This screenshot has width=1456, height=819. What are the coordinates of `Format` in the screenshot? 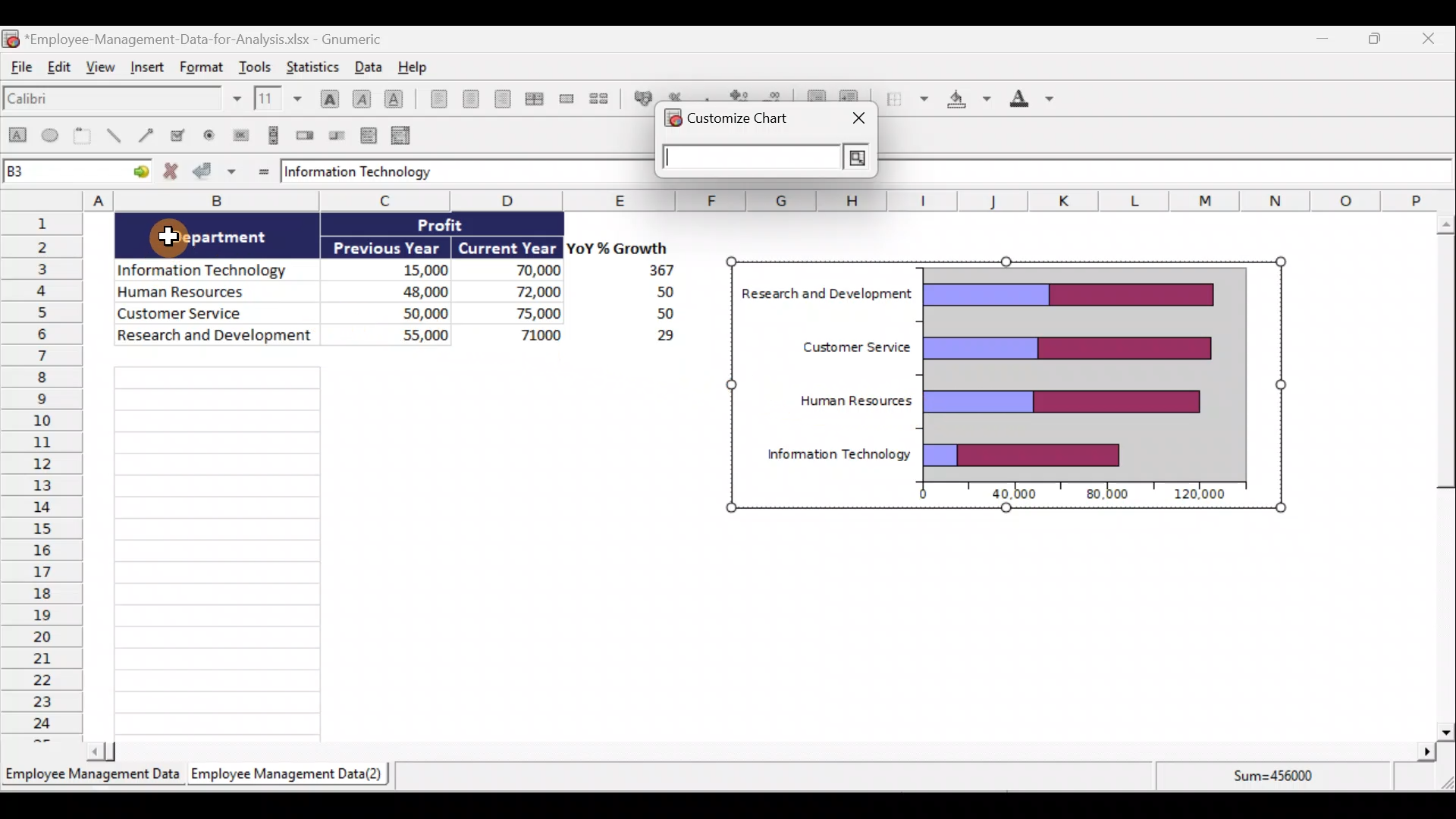 It's located at (199, 68).